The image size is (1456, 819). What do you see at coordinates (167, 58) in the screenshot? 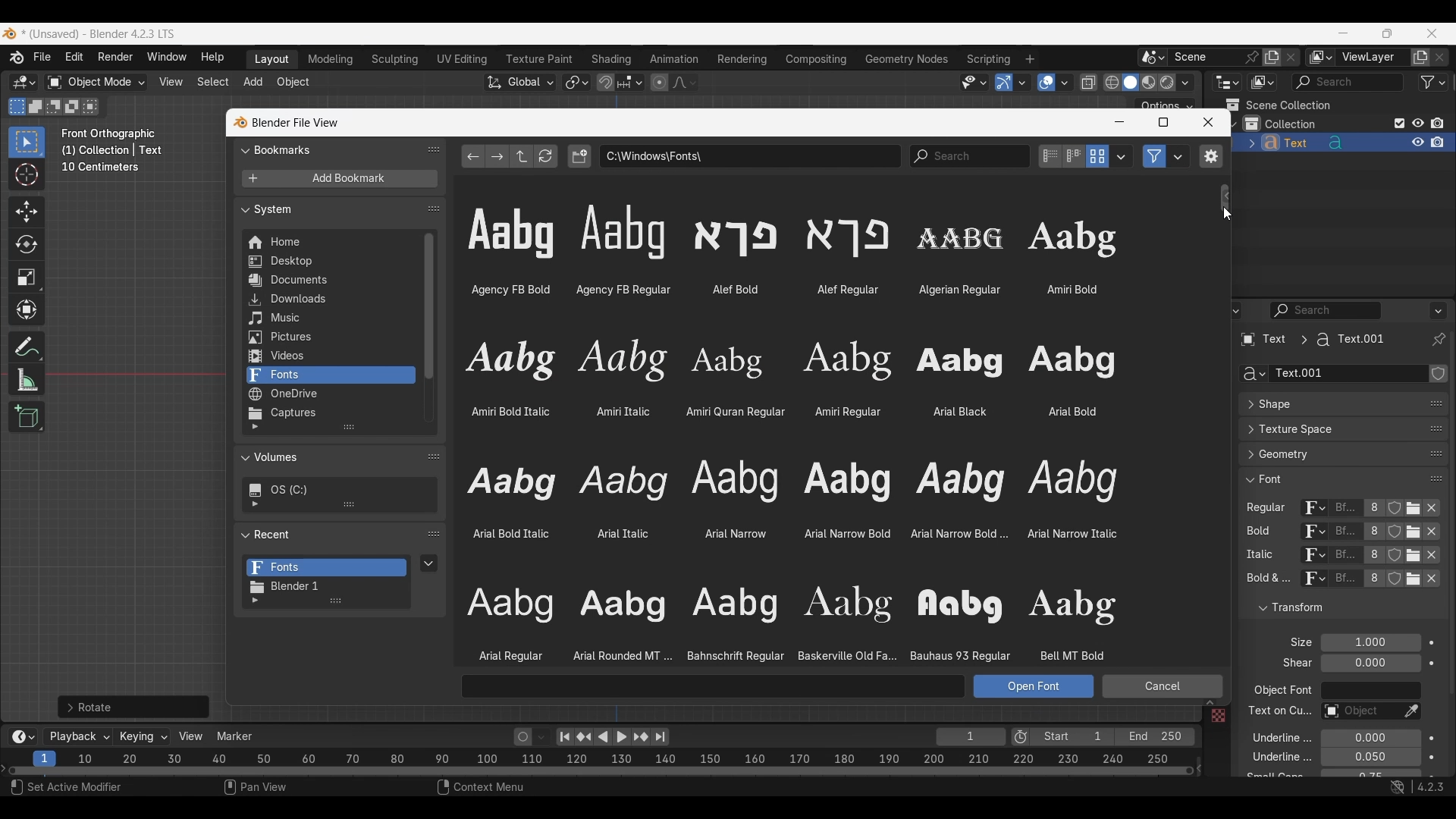
I see `Window menu` at bounding box center [167, 58].